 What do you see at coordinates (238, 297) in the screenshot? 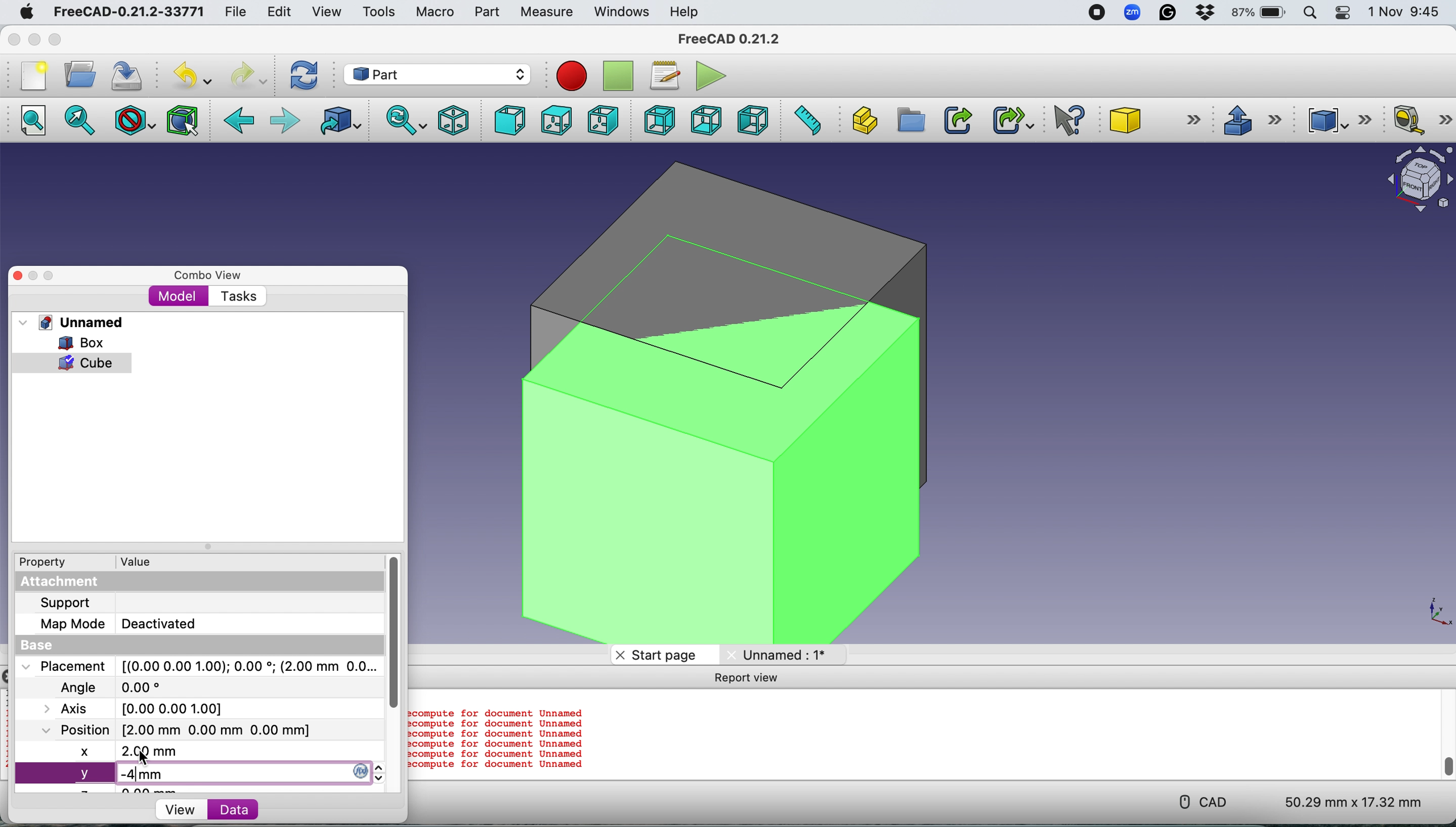
I see `Tasks` at bounding box center [238, 297].